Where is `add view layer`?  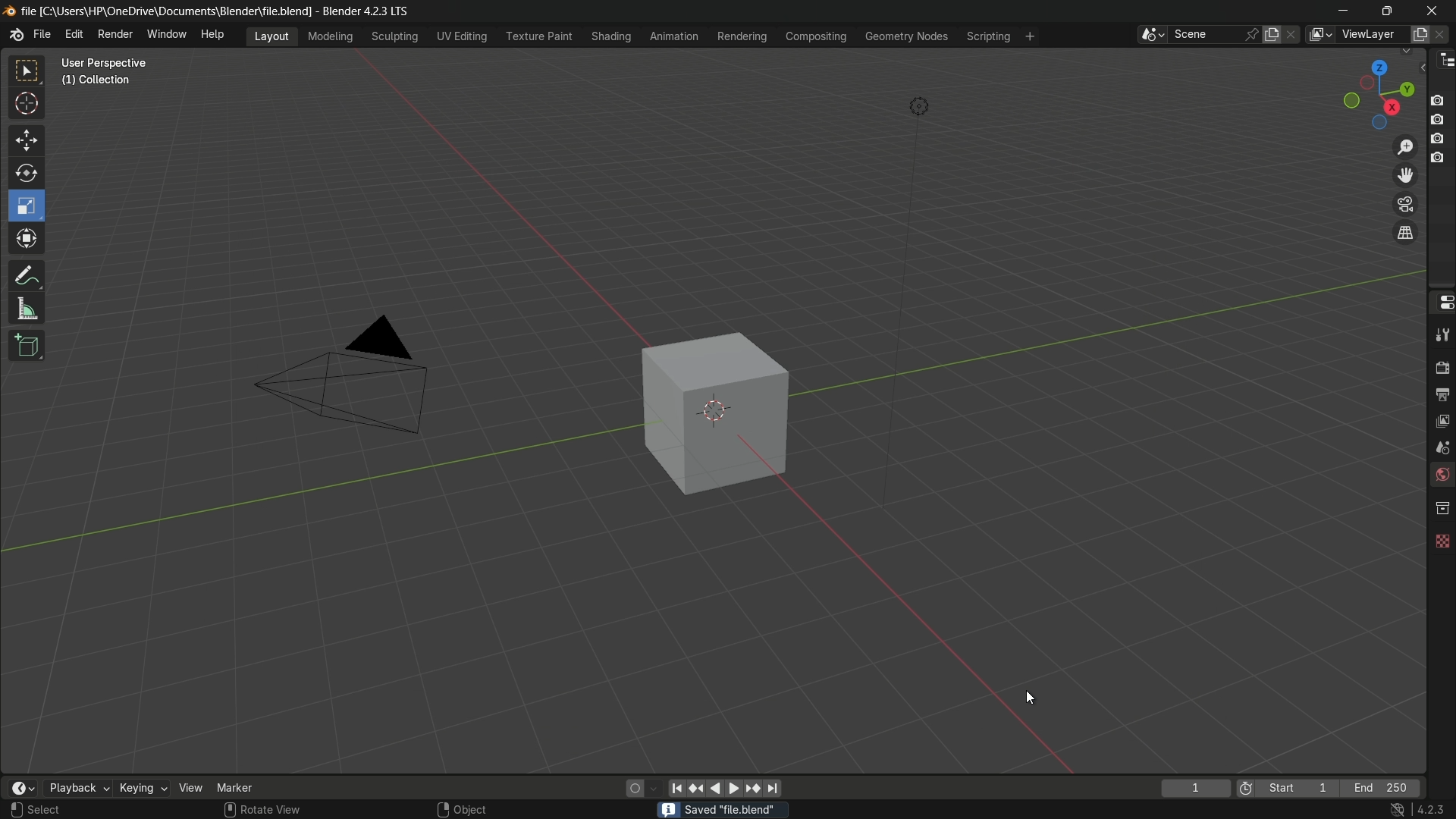
add view layer is located at coordinates (1418, 33).